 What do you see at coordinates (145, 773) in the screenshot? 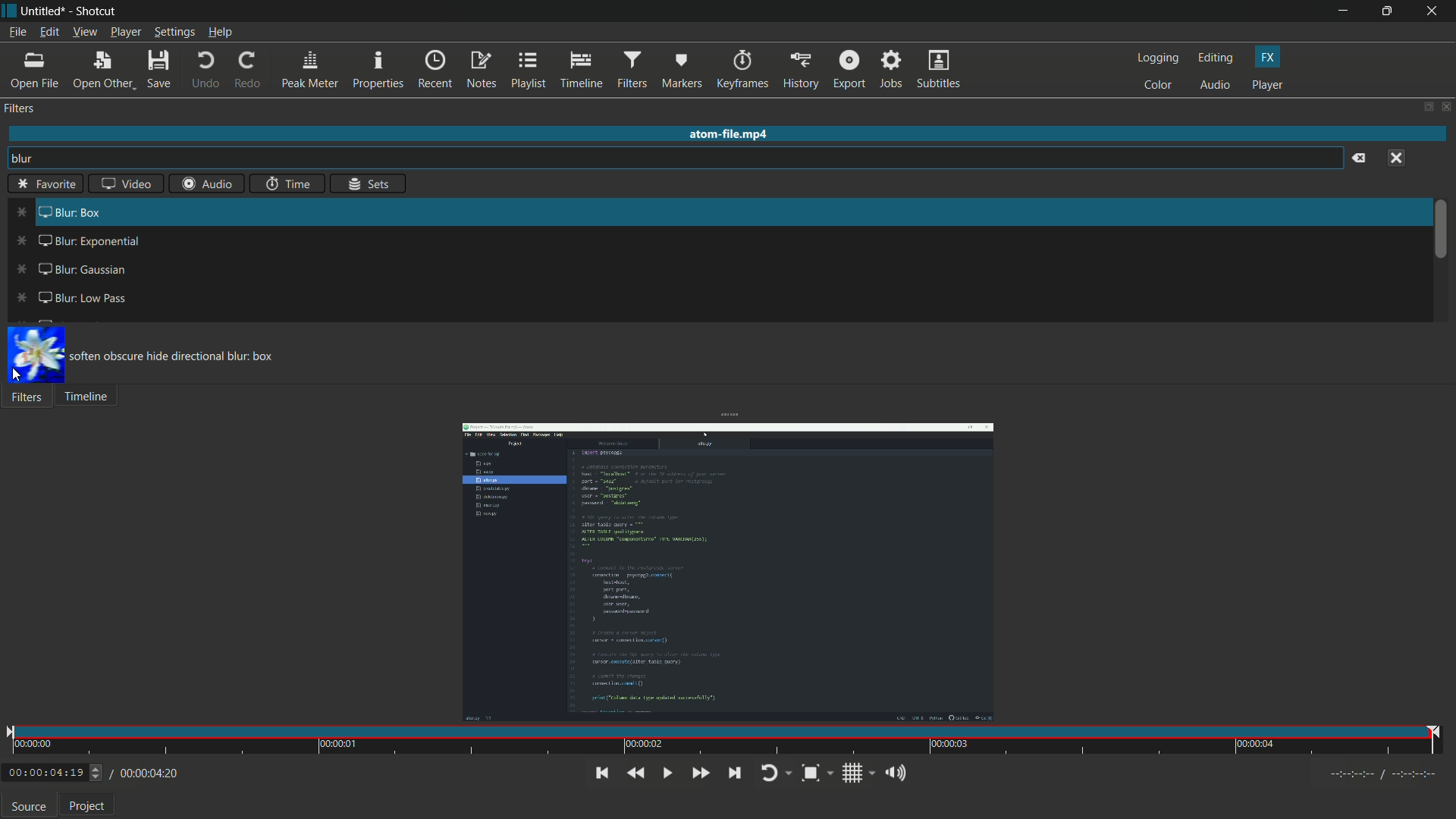
I see `/ 00:00:04:20` at bounding box center [145, 773].